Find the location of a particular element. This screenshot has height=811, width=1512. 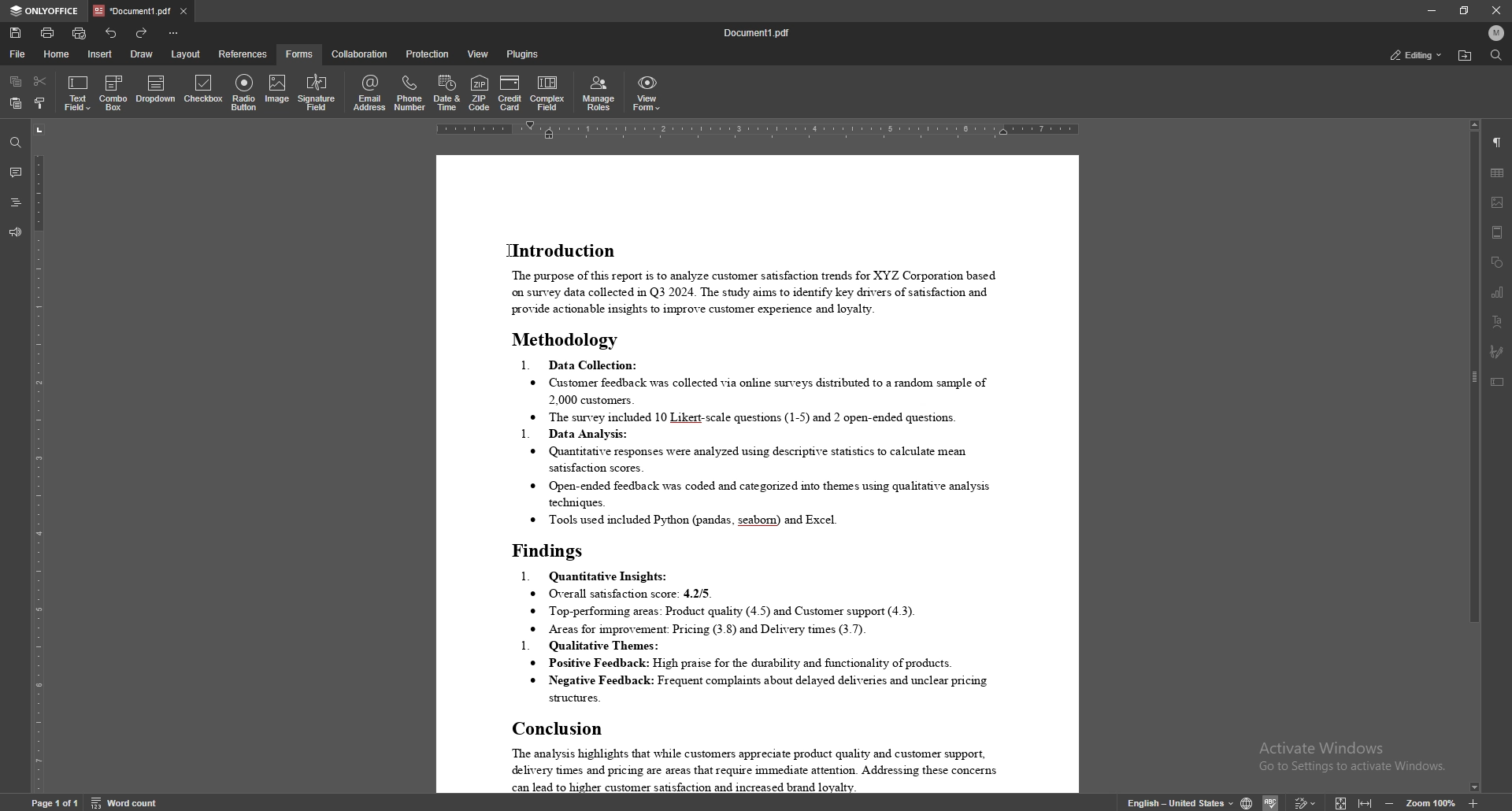

change text language is located at coordinates (1180, 802).